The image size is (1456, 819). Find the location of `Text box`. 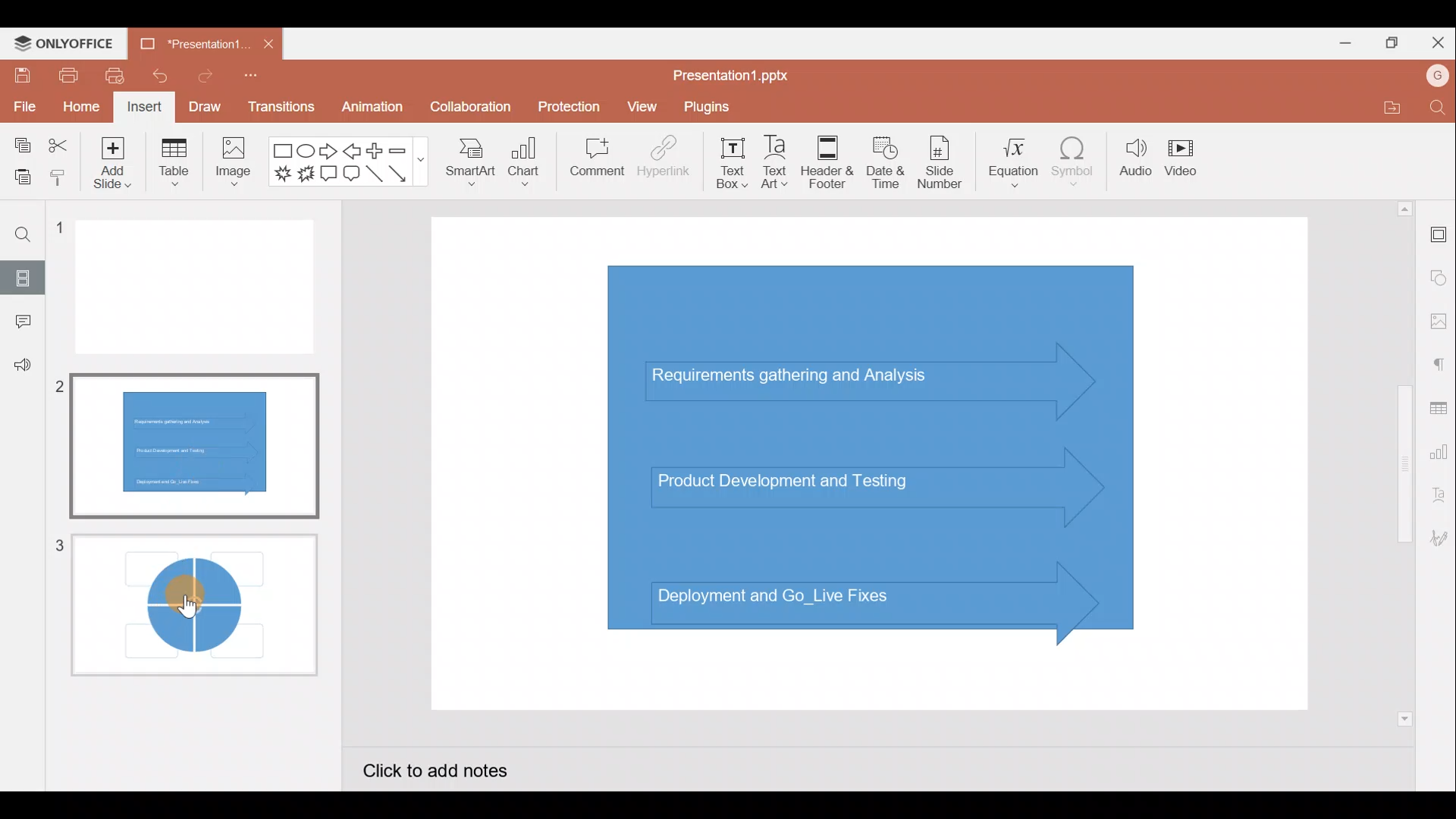

Text box is located at coordinates (728, 163).